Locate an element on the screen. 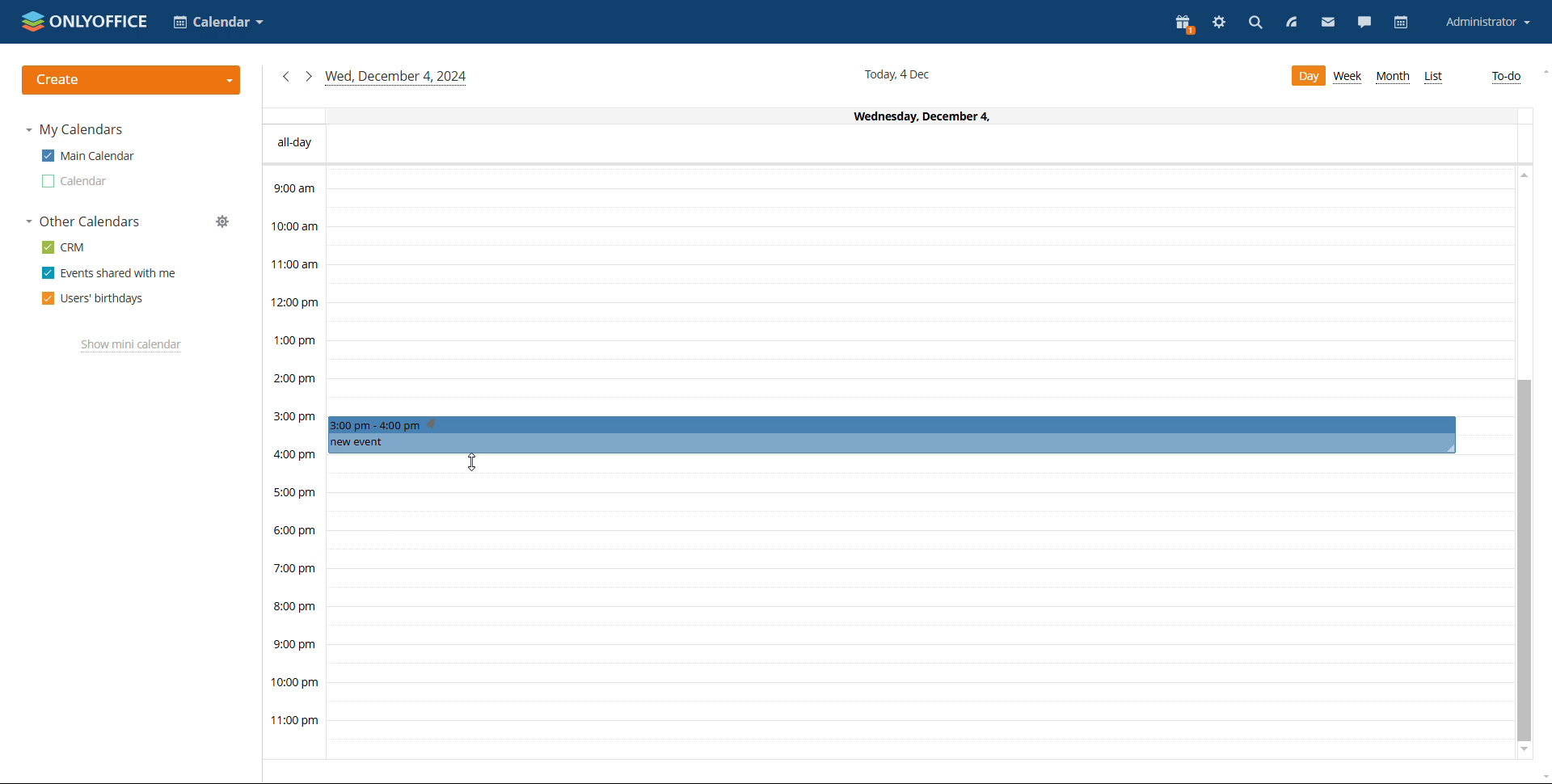 The width and height of the screenshot is (1552, 784). list view is located at coordinates (1432, 78).